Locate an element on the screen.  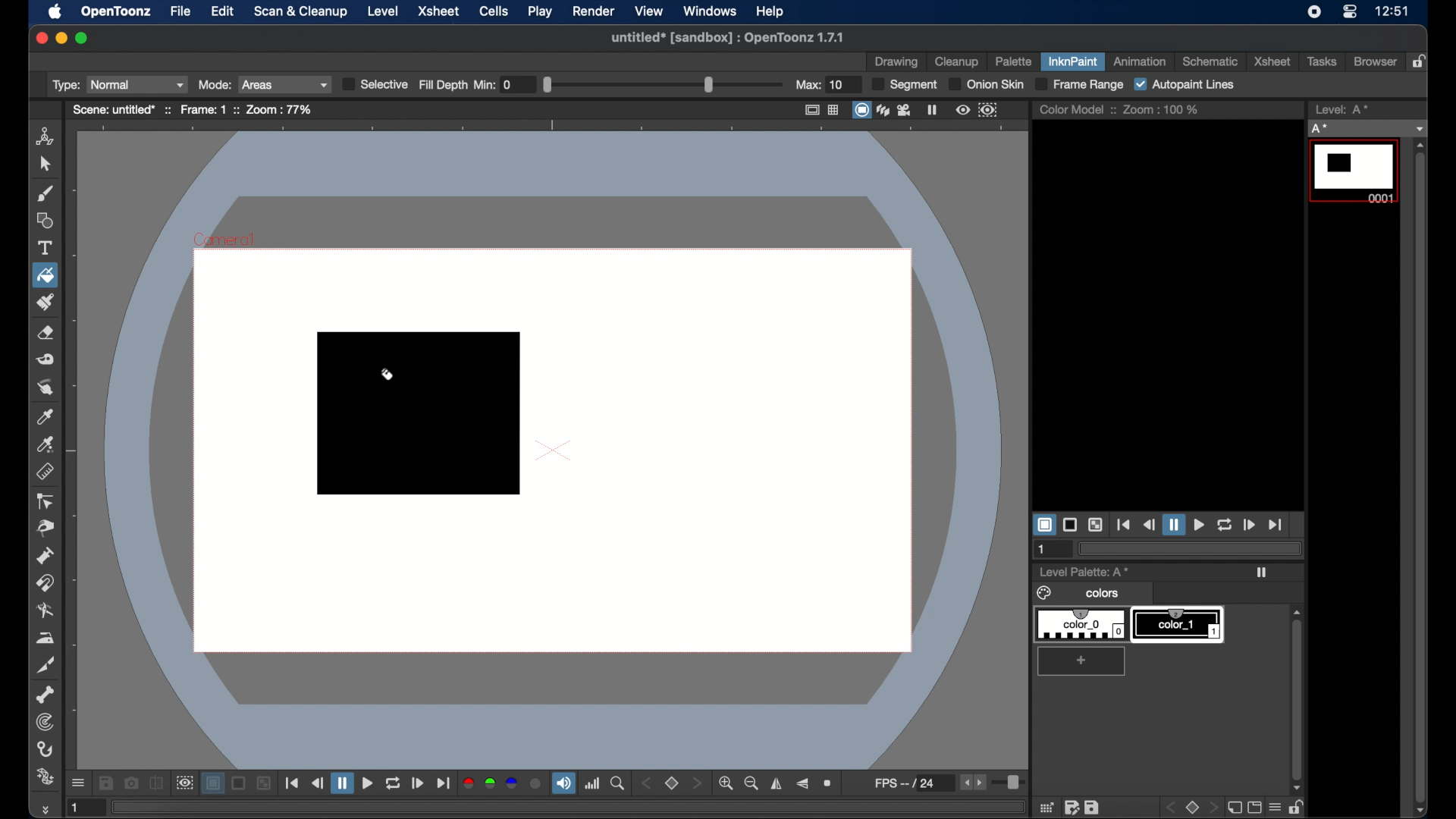
jump to start is located at coordinates (292, 783).